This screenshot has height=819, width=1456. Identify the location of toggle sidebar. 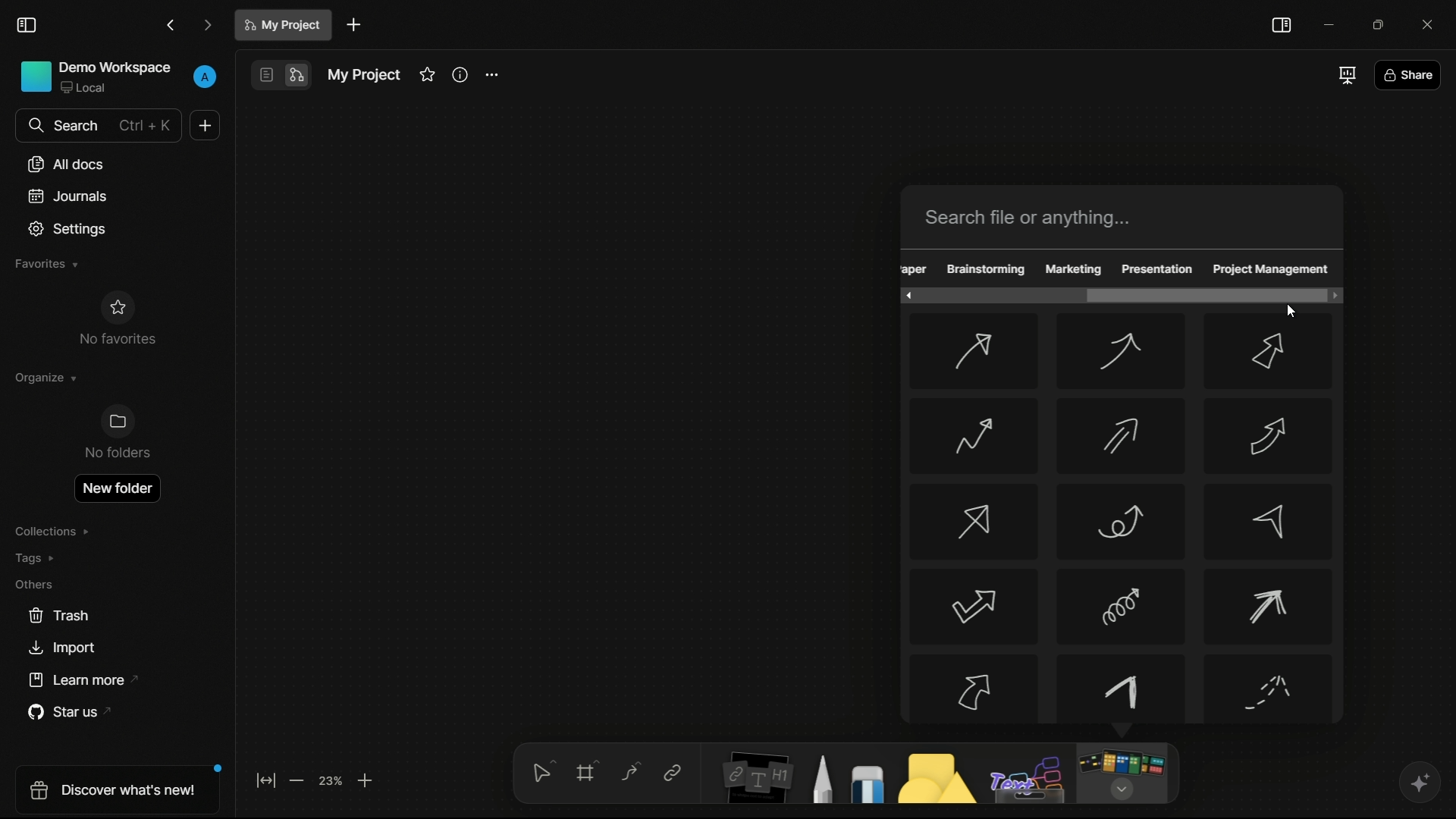
(27, 26).